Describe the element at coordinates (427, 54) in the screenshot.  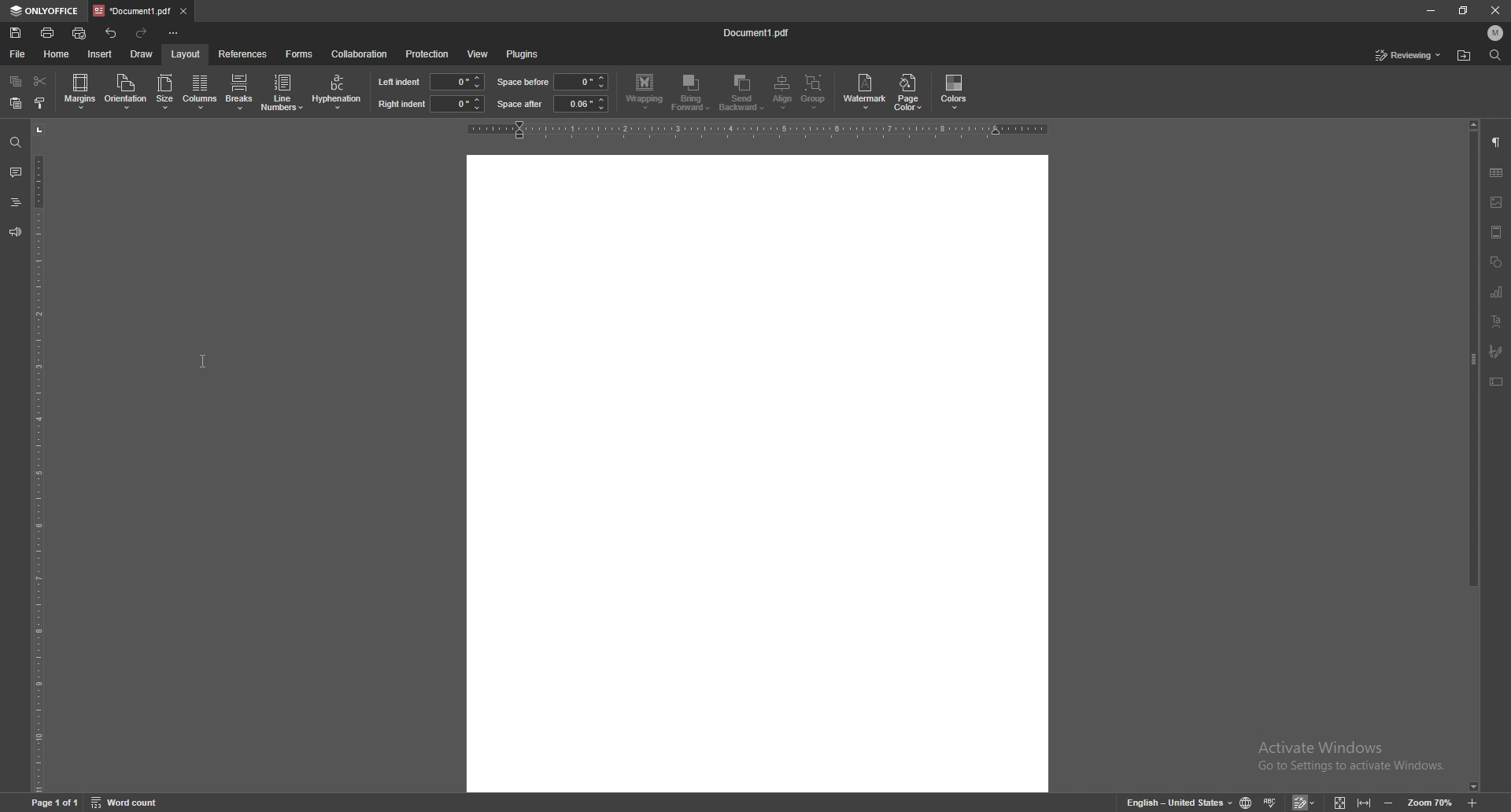
I see `protection` at that location.